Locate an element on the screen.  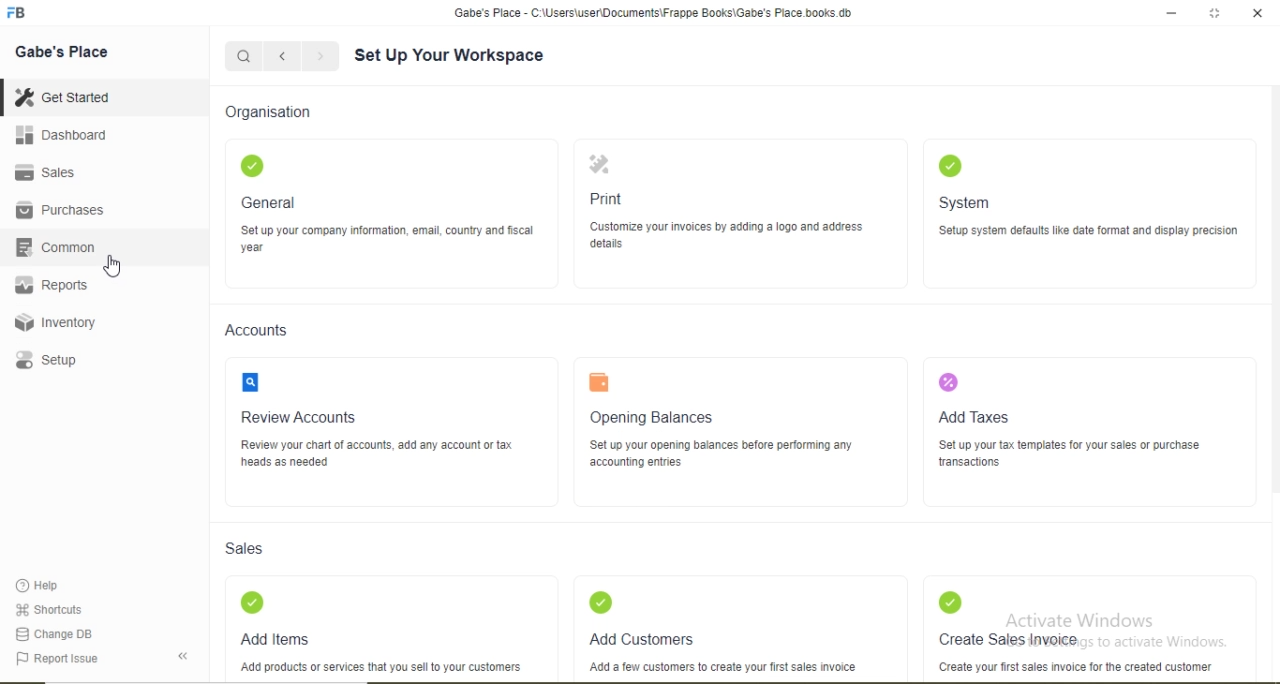
Forward is located at coordinates (321, 56).